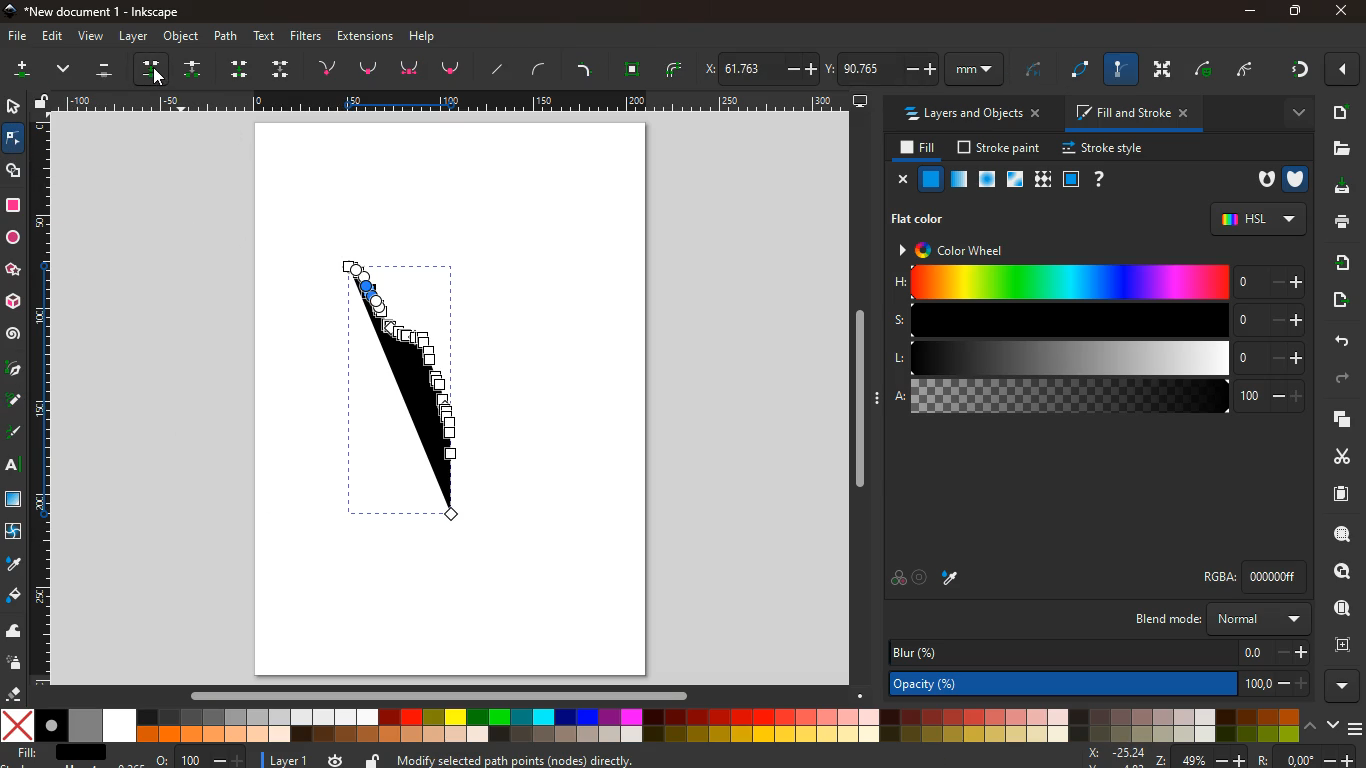  Describe the element at coordinates (1357, 726) in the screenshot. I see `menu` at that location.